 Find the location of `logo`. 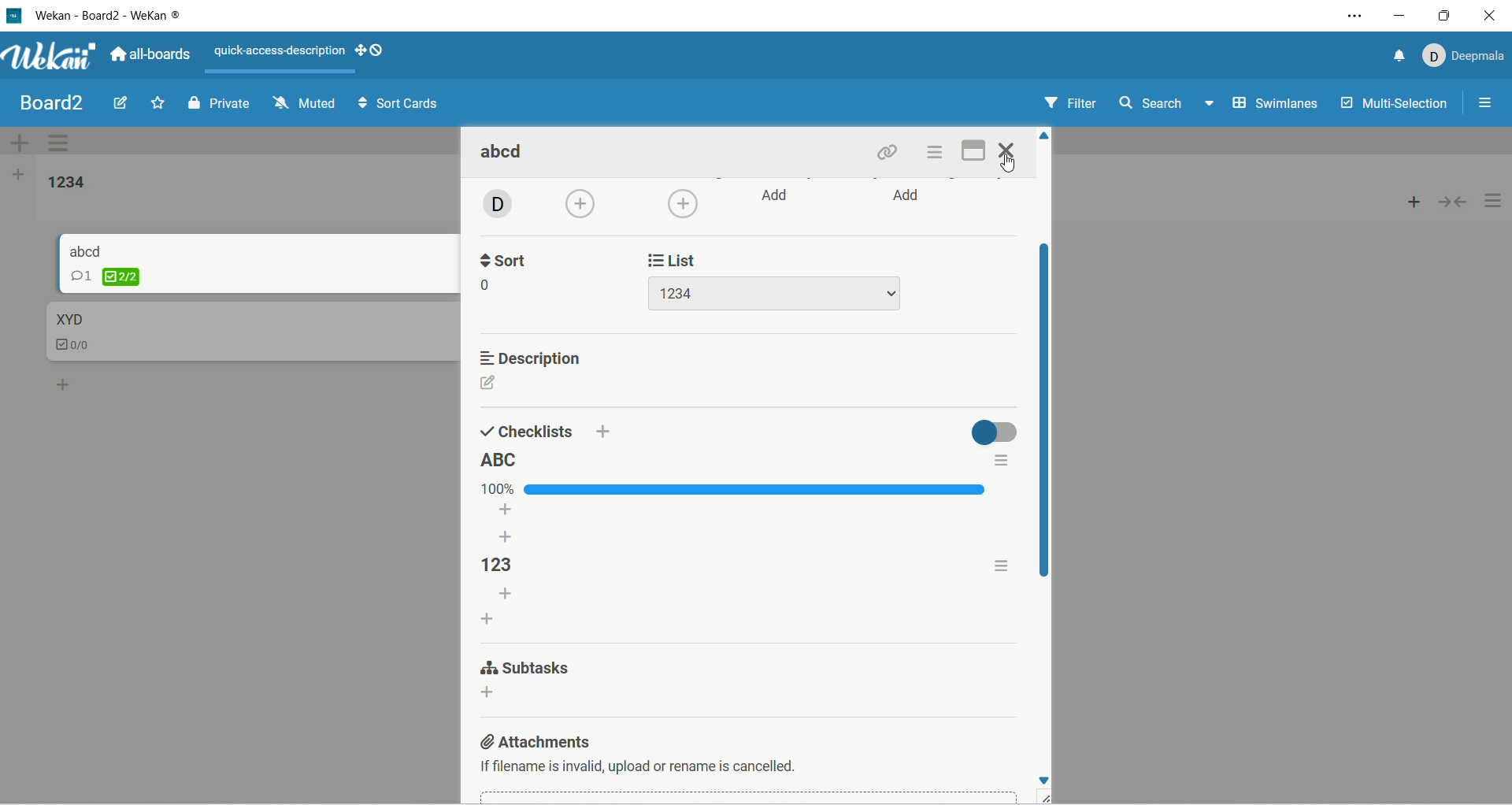

logo is located at coordinates (13, 17).